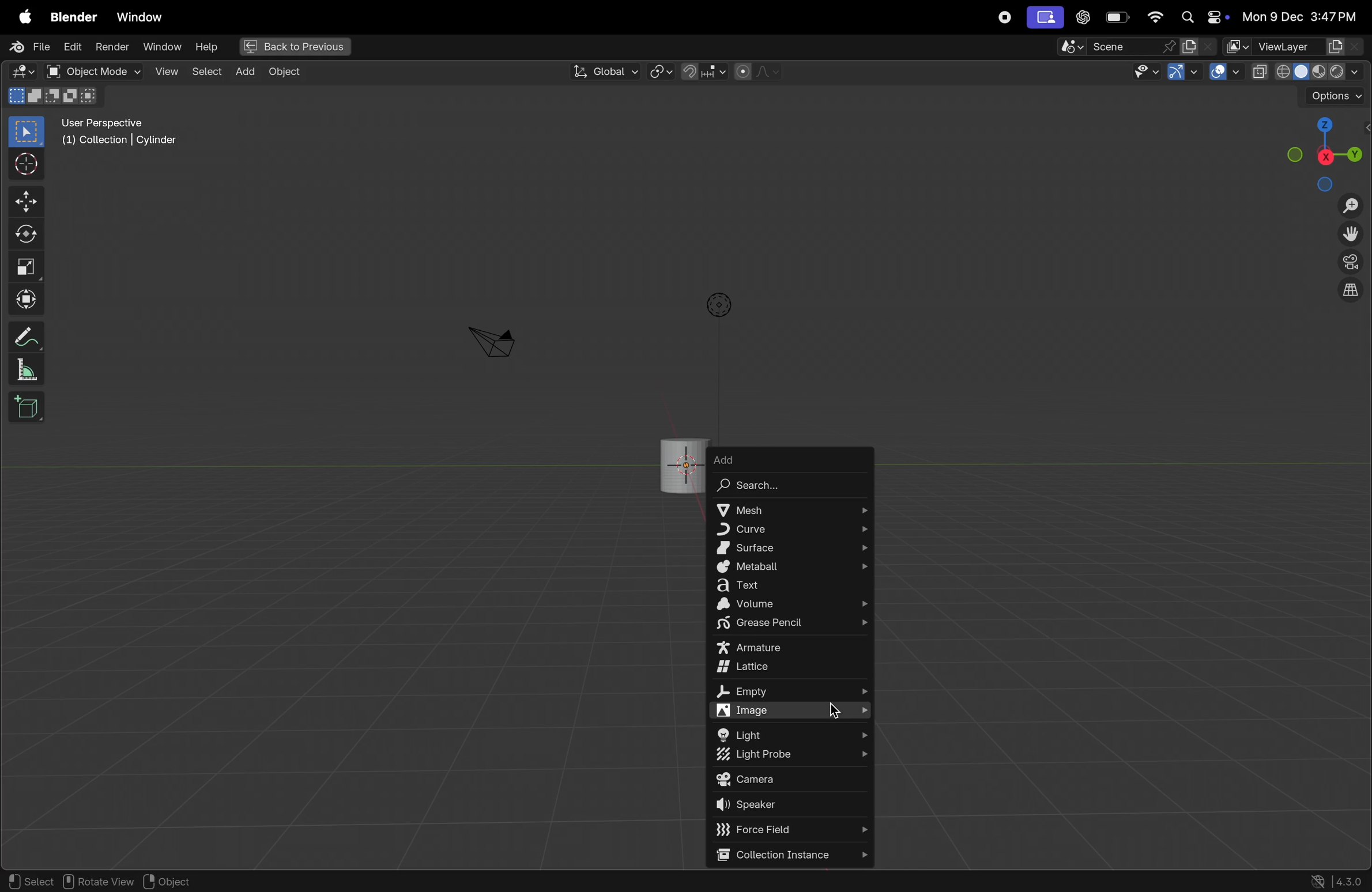 This screenshot has height=892, width=1372. Describe the element at coordinates (1295, 47) in the screenshot. I see `Viewlayer` at that location.